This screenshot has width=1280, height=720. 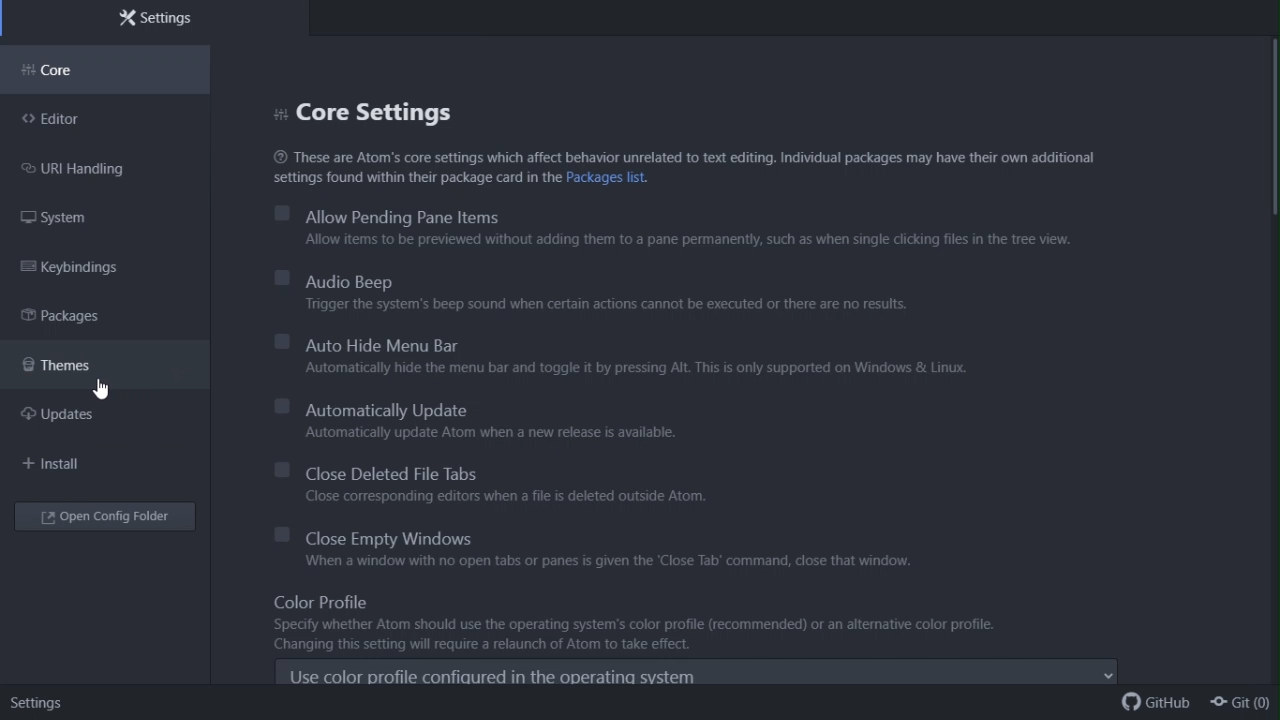 What do you see at coordinates (63, 121) in the screenshot?
I see `Editor` at bounding box center [63, 121].